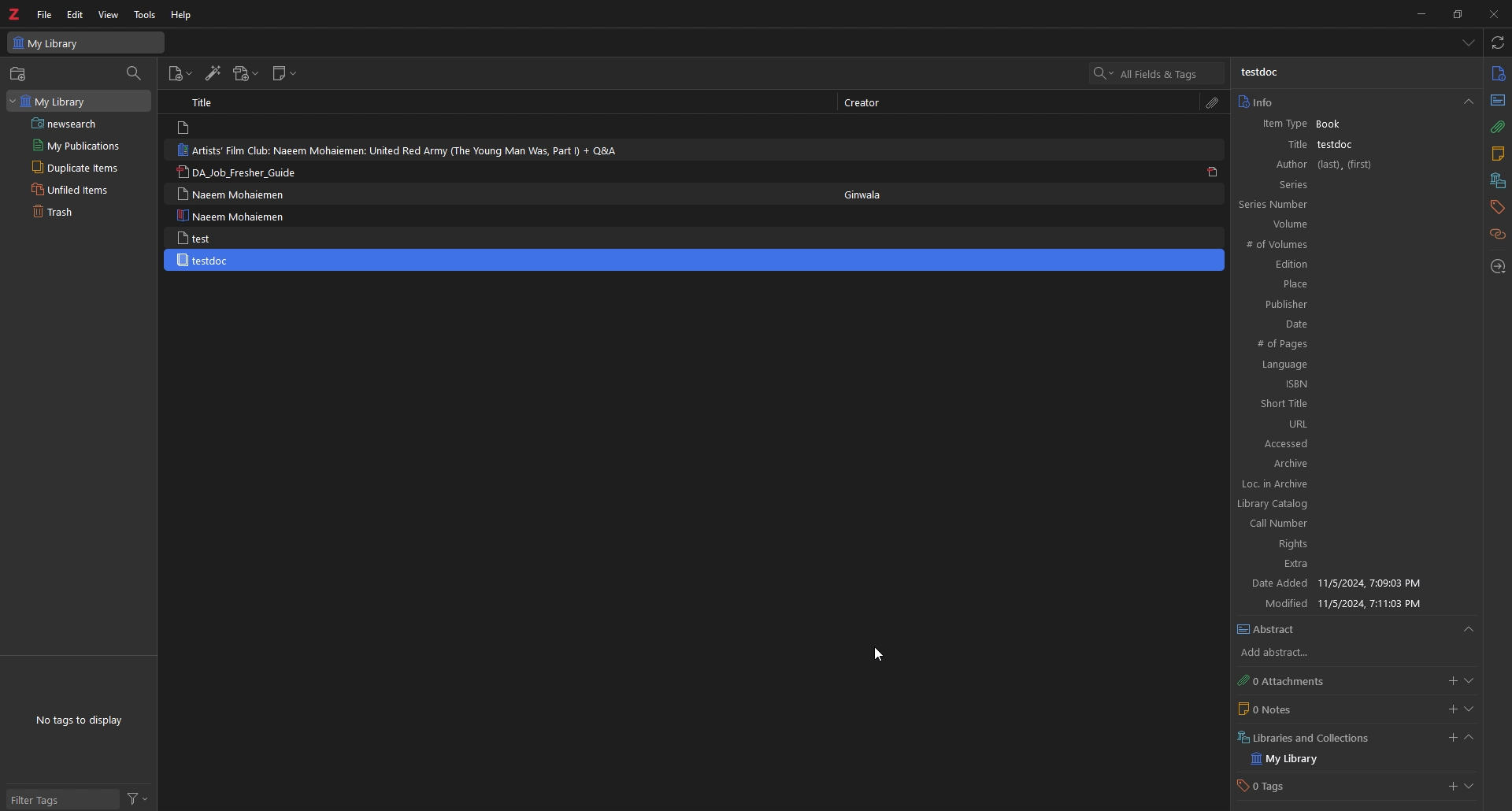  Describe the element at coordinates (231, 194) in the screenshot. I see `Naeem Mohaiemen` at that location.